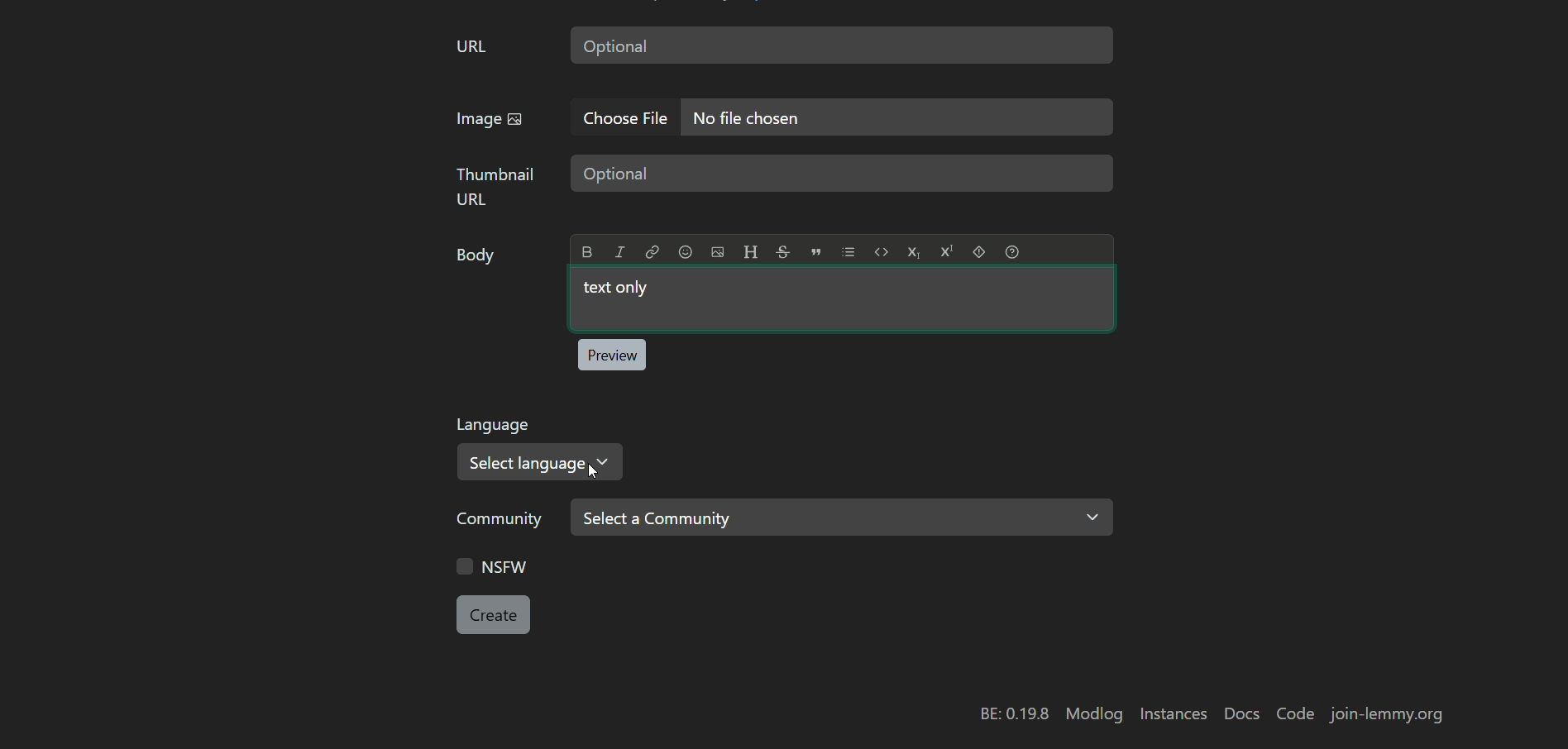 This screenshot has width=1568, height=749. I want to click on Emoji, so click(685, 251).